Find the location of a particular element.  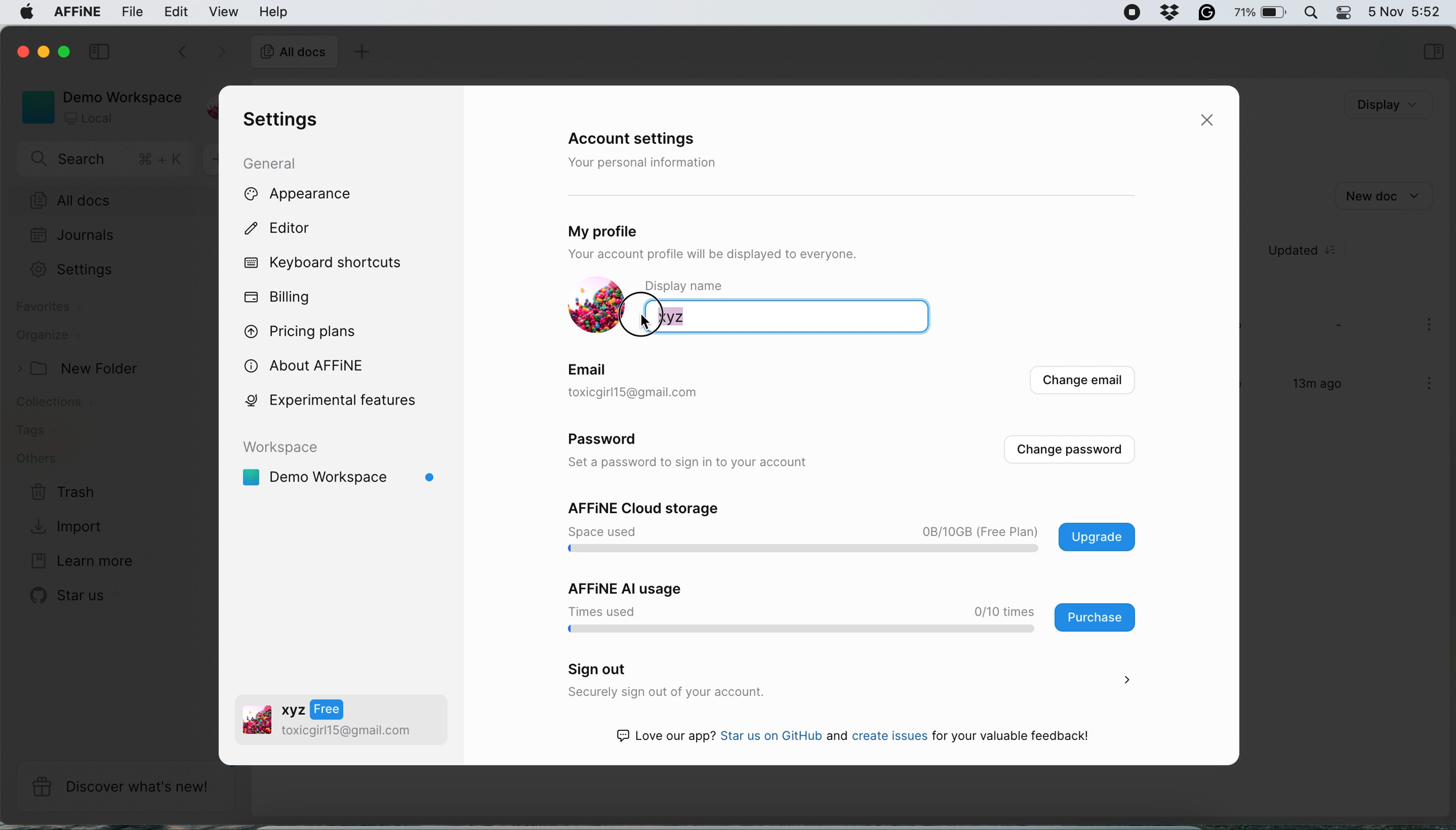

set a password to sign in to your account is located at coordinates (696, 463).